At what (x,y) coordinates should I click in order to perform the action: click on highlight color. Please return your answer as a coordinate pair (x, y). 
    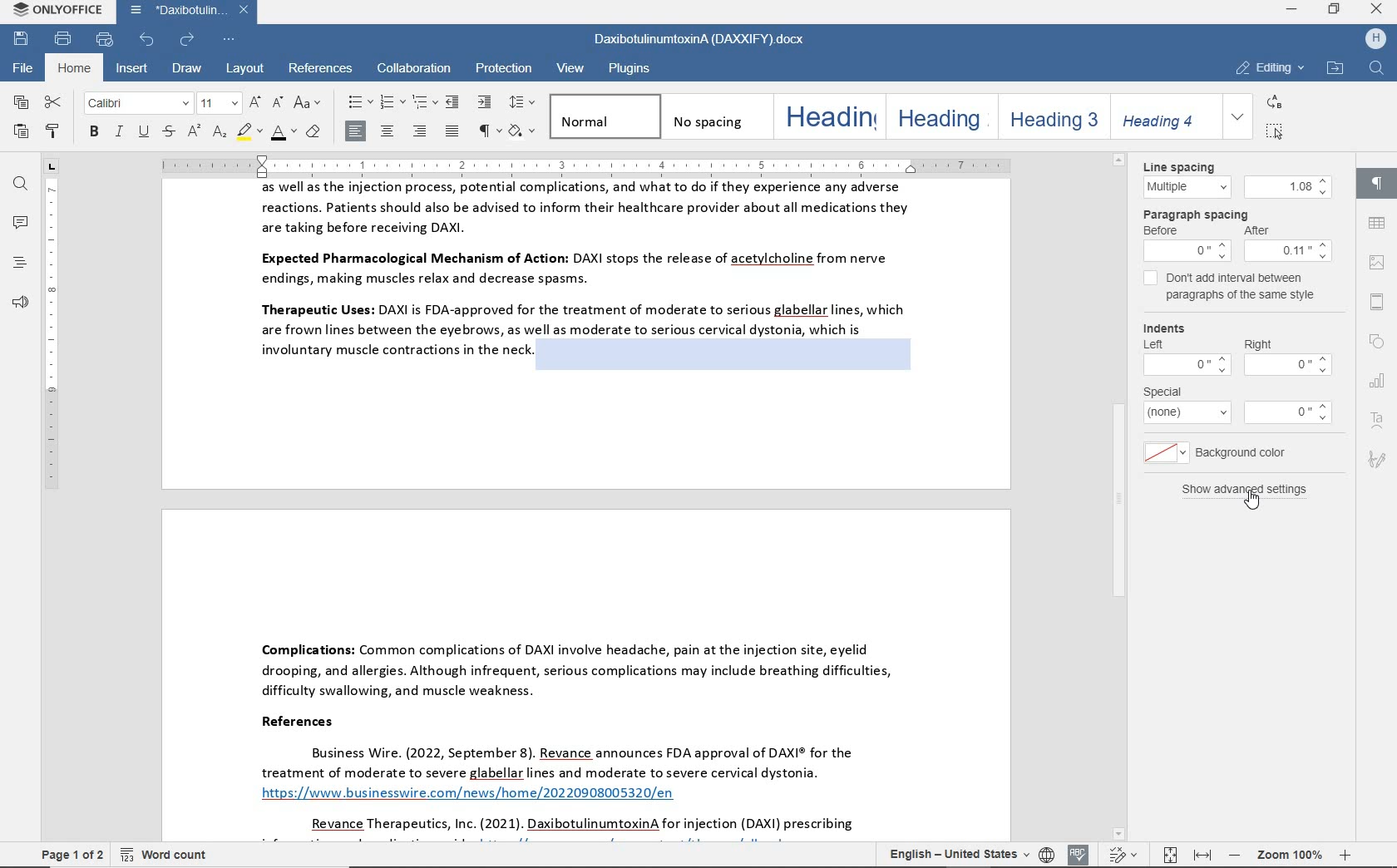
    Looking at the image, I should click on (250, 133).